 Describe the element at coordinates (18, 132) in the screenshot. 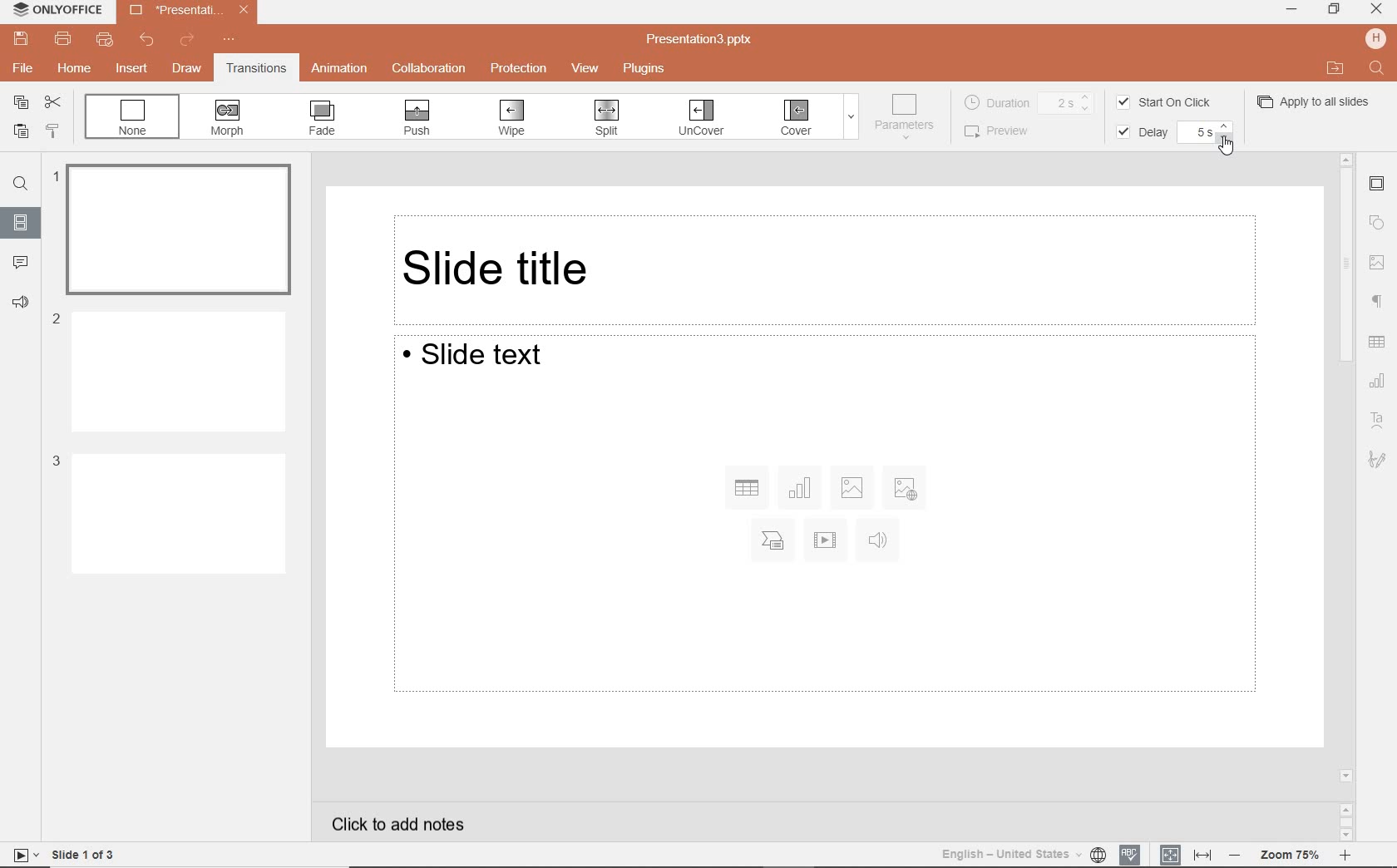

I see `paste` at that location.